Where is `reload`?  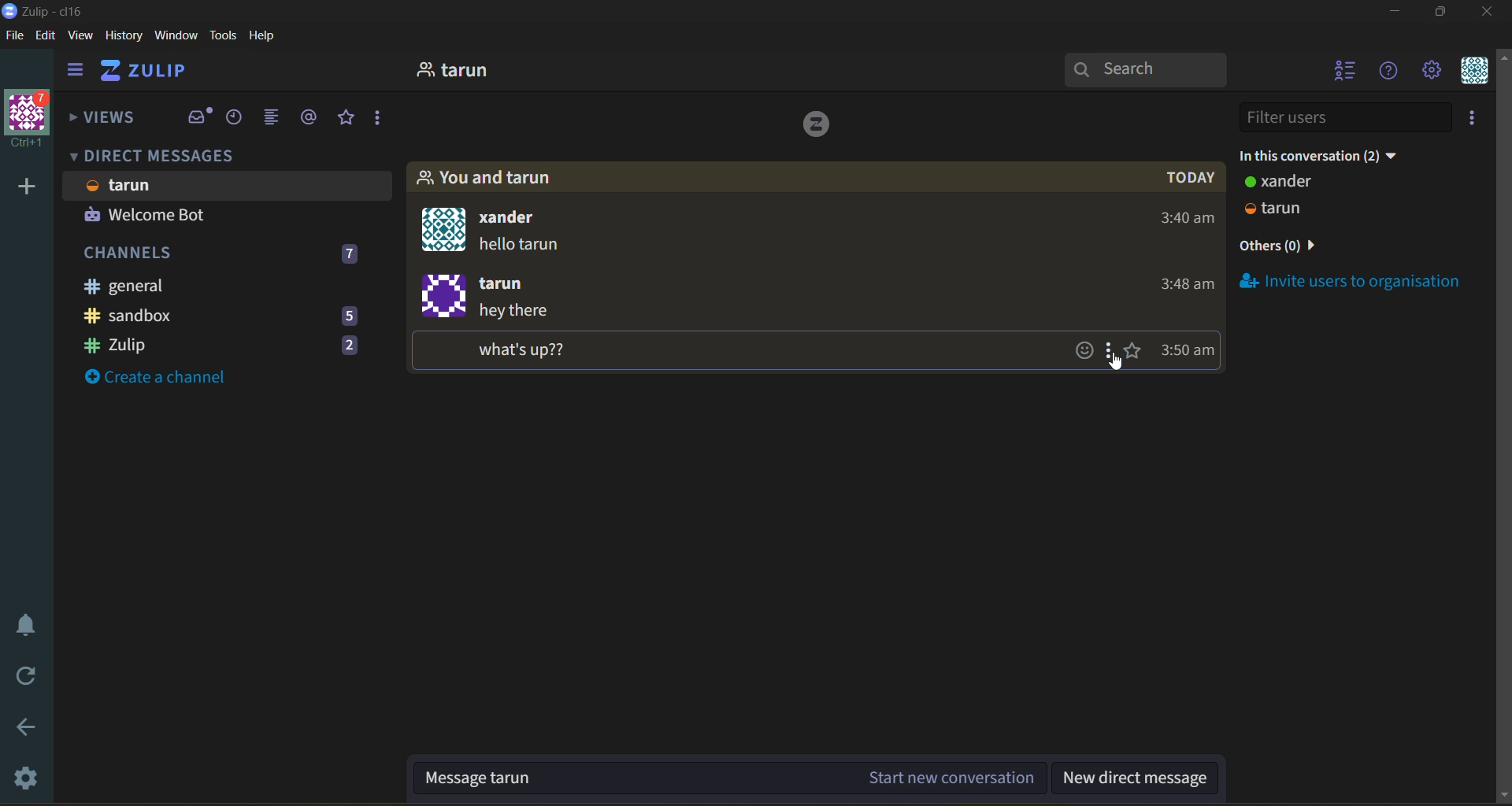
reload is located at coordinates (21, 672).